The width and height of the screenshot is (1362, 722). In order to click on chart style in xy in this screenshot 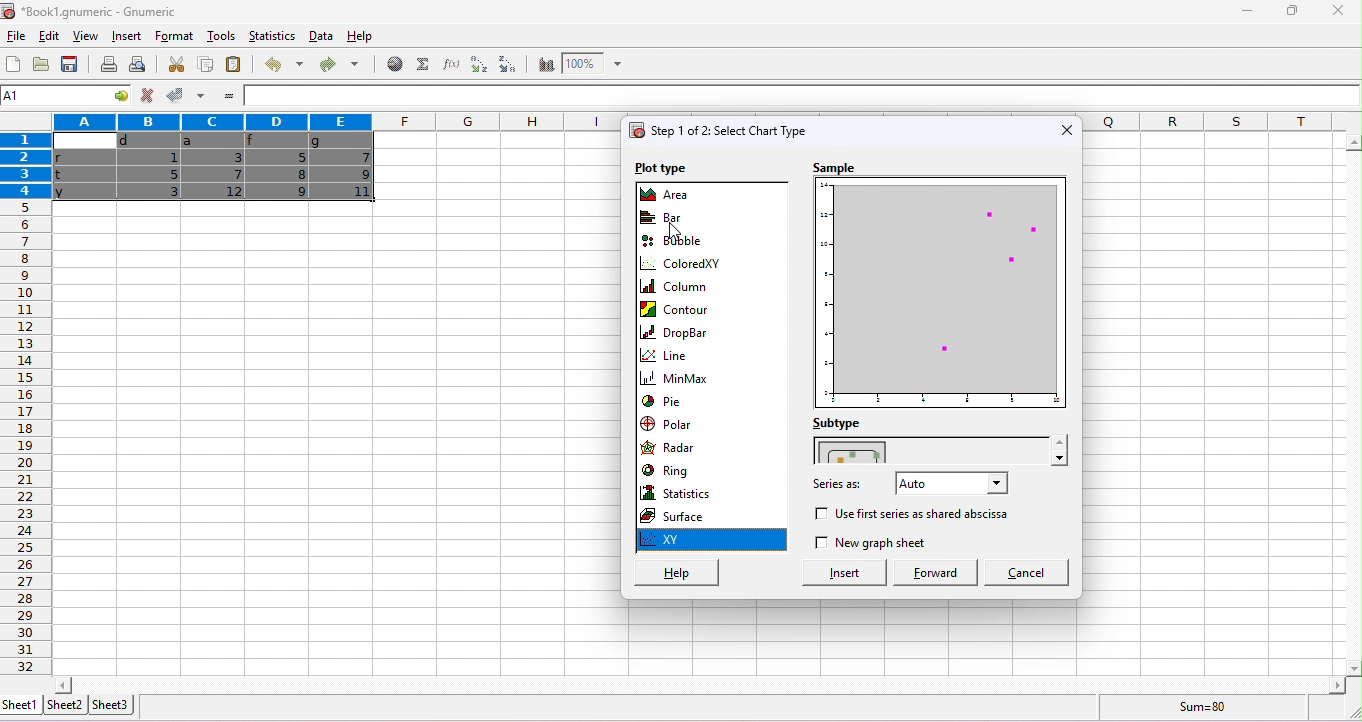, I will do `click(861, 453)`.